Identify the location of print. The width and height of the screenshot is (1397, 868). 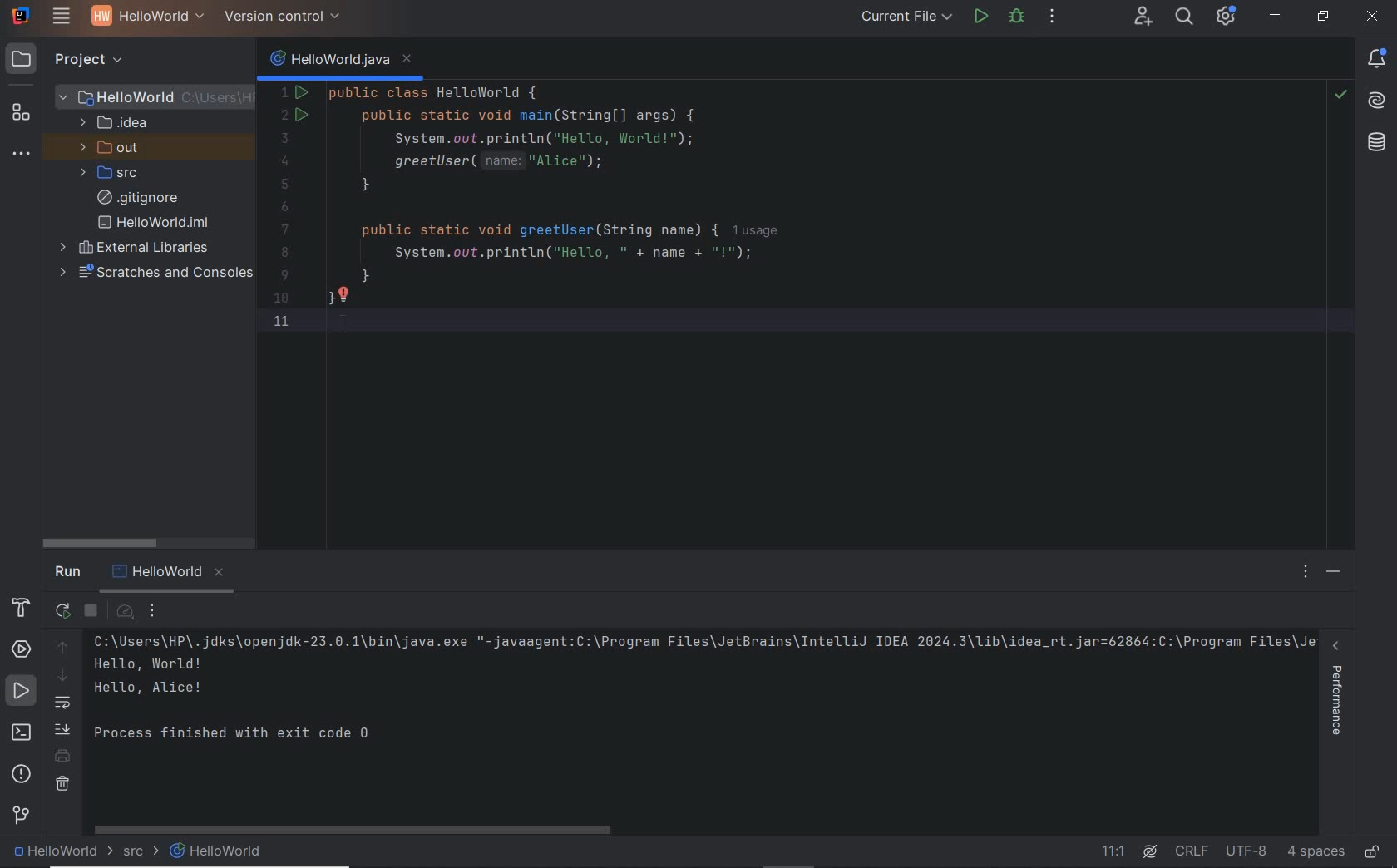
(63, 757).